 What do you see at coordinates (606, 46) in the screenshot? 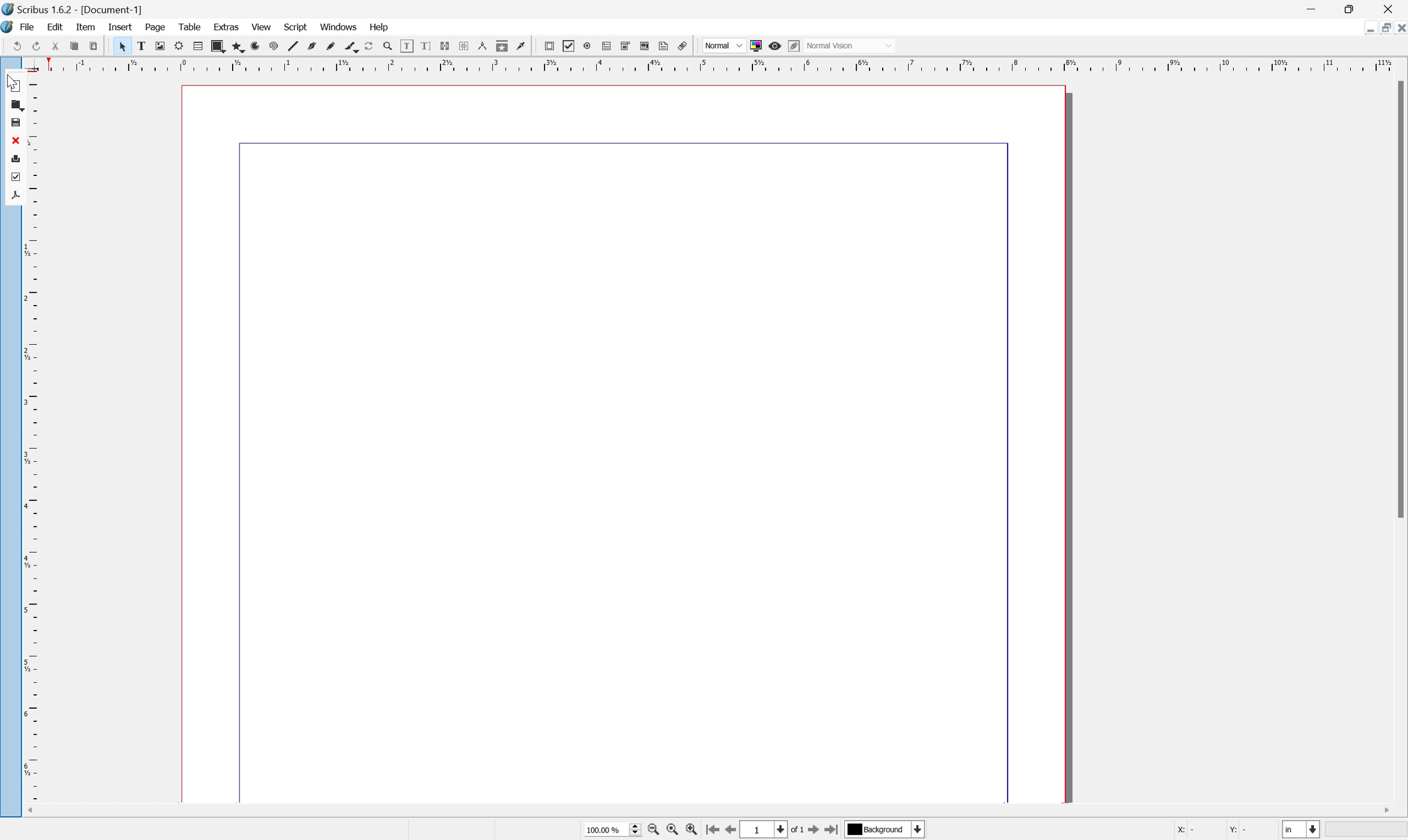
I see `unlink text frames` at bounding box center [606, 46].